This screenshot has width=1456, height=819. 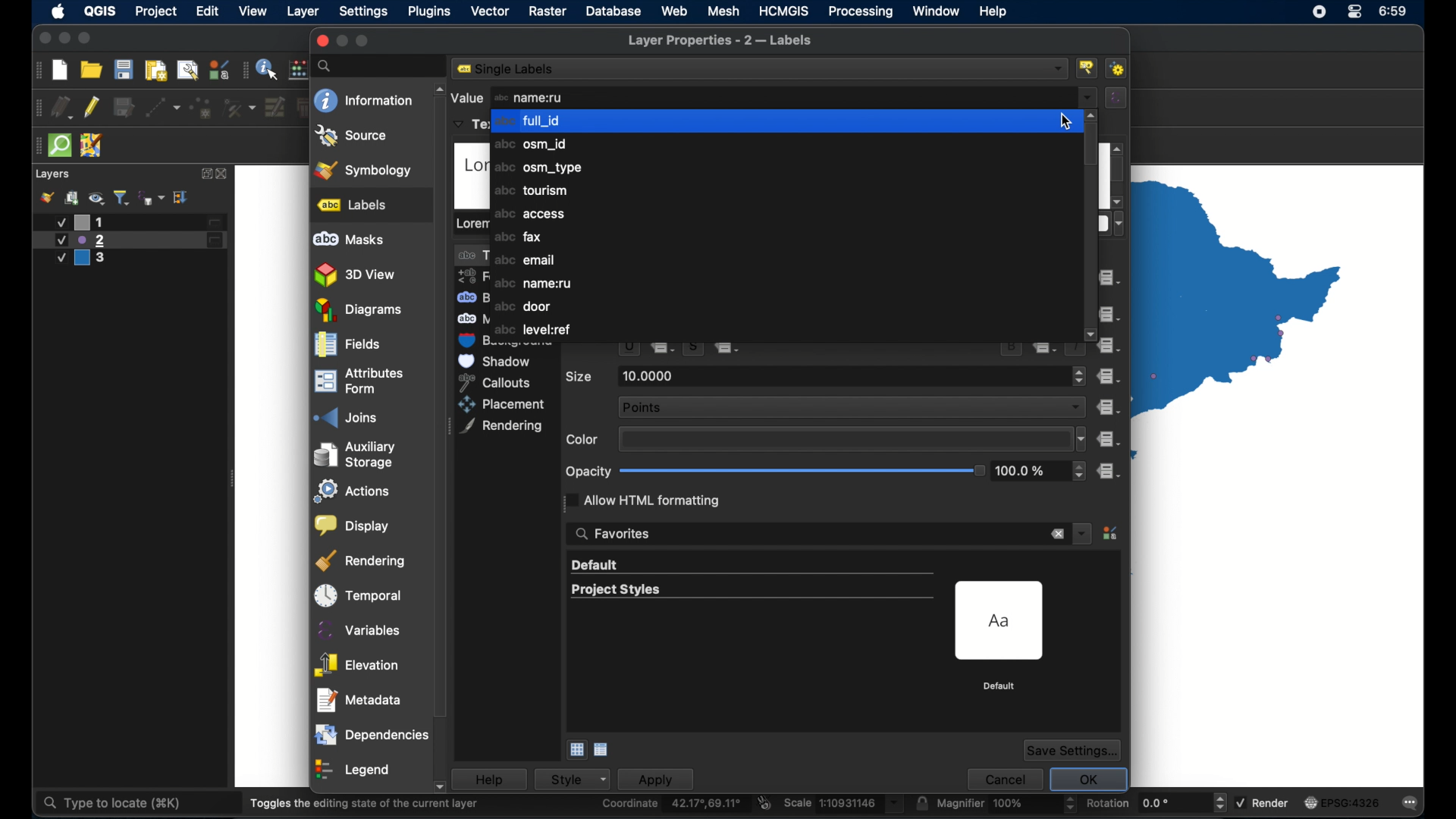 What do you see at coordinates (1119, 171) in the screenshot?
I see `scroll  box` at bounding box center [1119, 171].